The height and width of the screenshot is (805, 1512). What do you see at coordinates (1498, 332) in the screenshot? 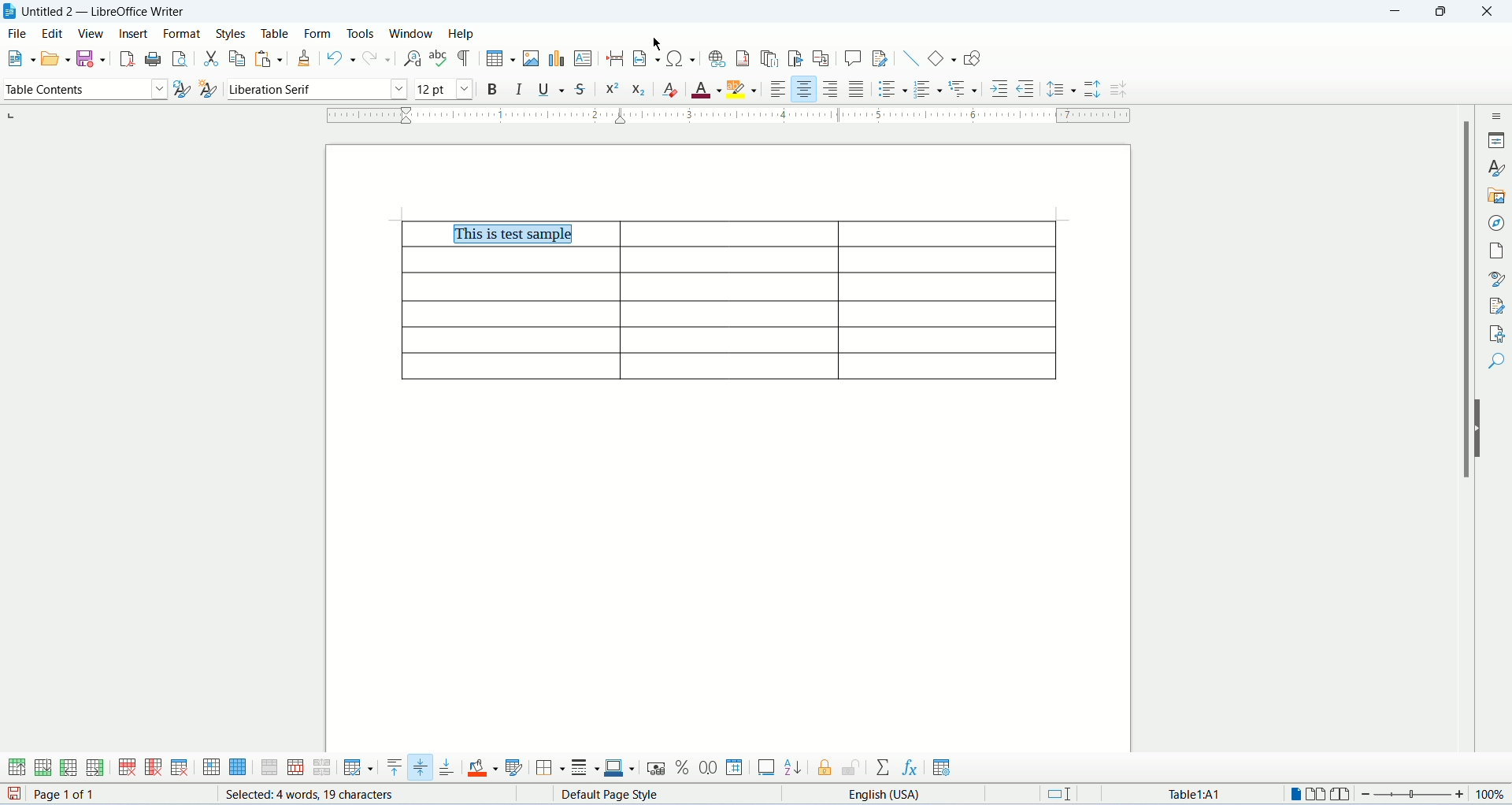
I see `accessibility check` at bounding box center [1498, 332].